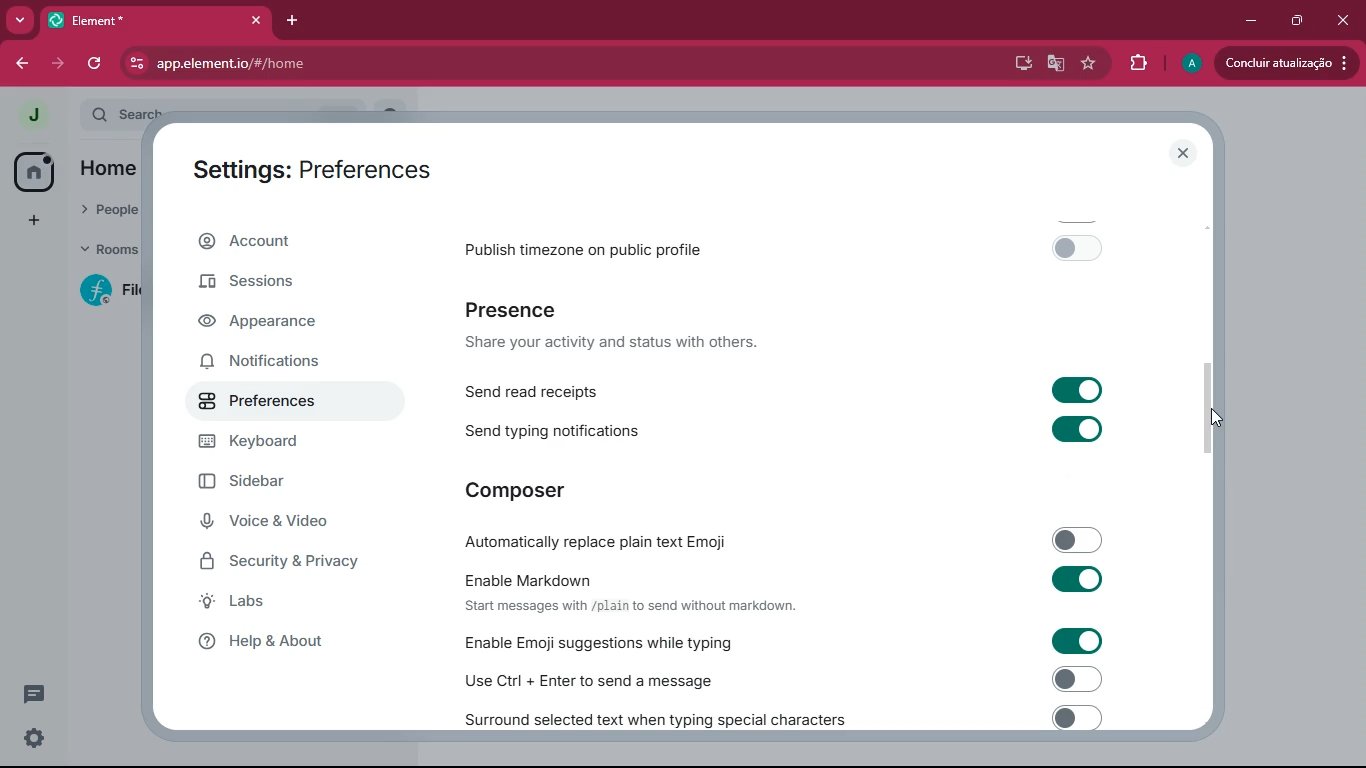 The image size is (1366, 768). What do you see at coordinates (624, 326) in the screenshot?
I see `presence Share your activity and status with others.` at bounding box center [624, 326].